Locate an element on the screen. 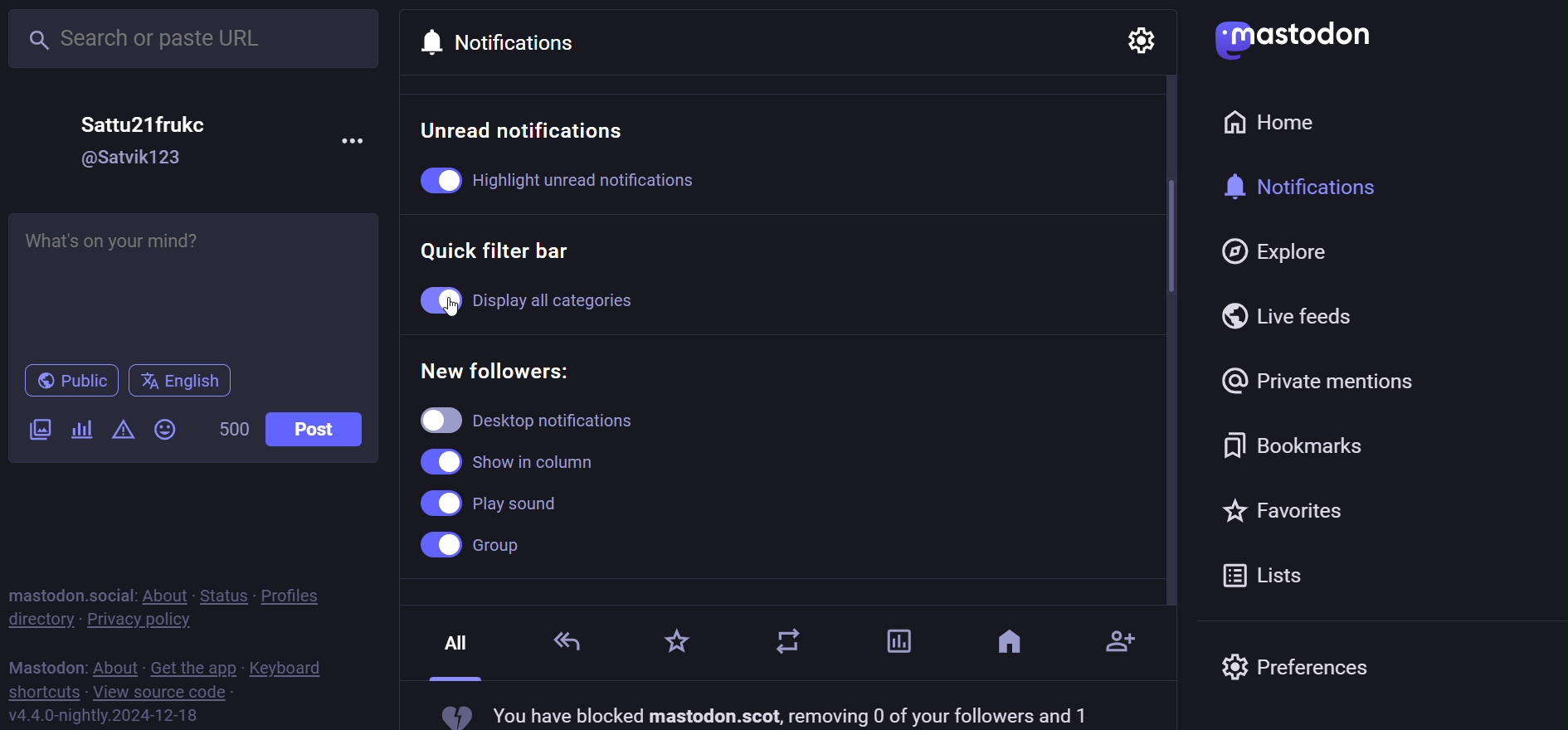 This screenshot has width=1568, height=730. bookmark is located at coordinates (1297, 440).